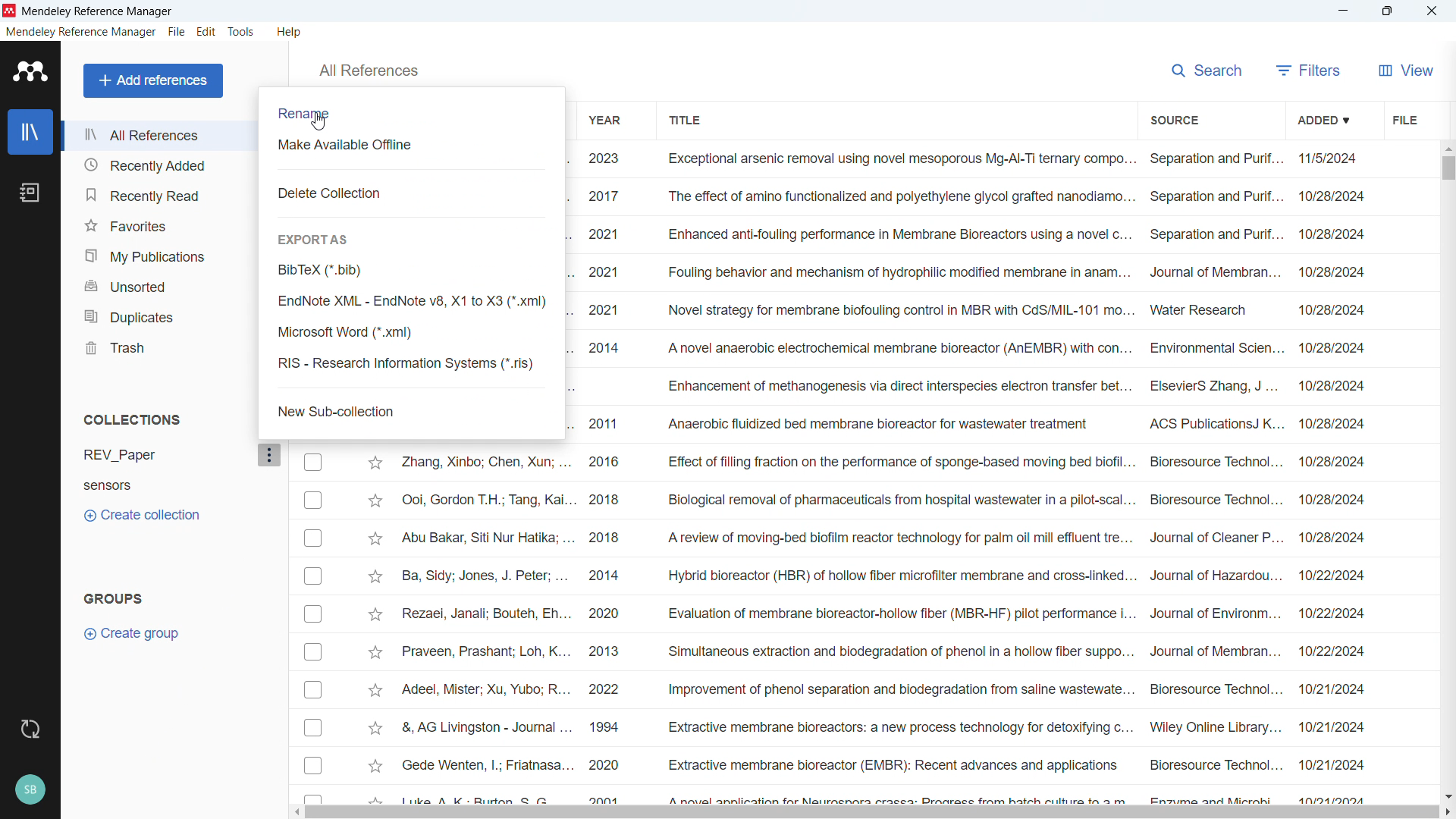 This screenshot has height=819, width=1456. Describe the element at coordinates (1404, 68) in the screenshot. I see `view ` at that location.